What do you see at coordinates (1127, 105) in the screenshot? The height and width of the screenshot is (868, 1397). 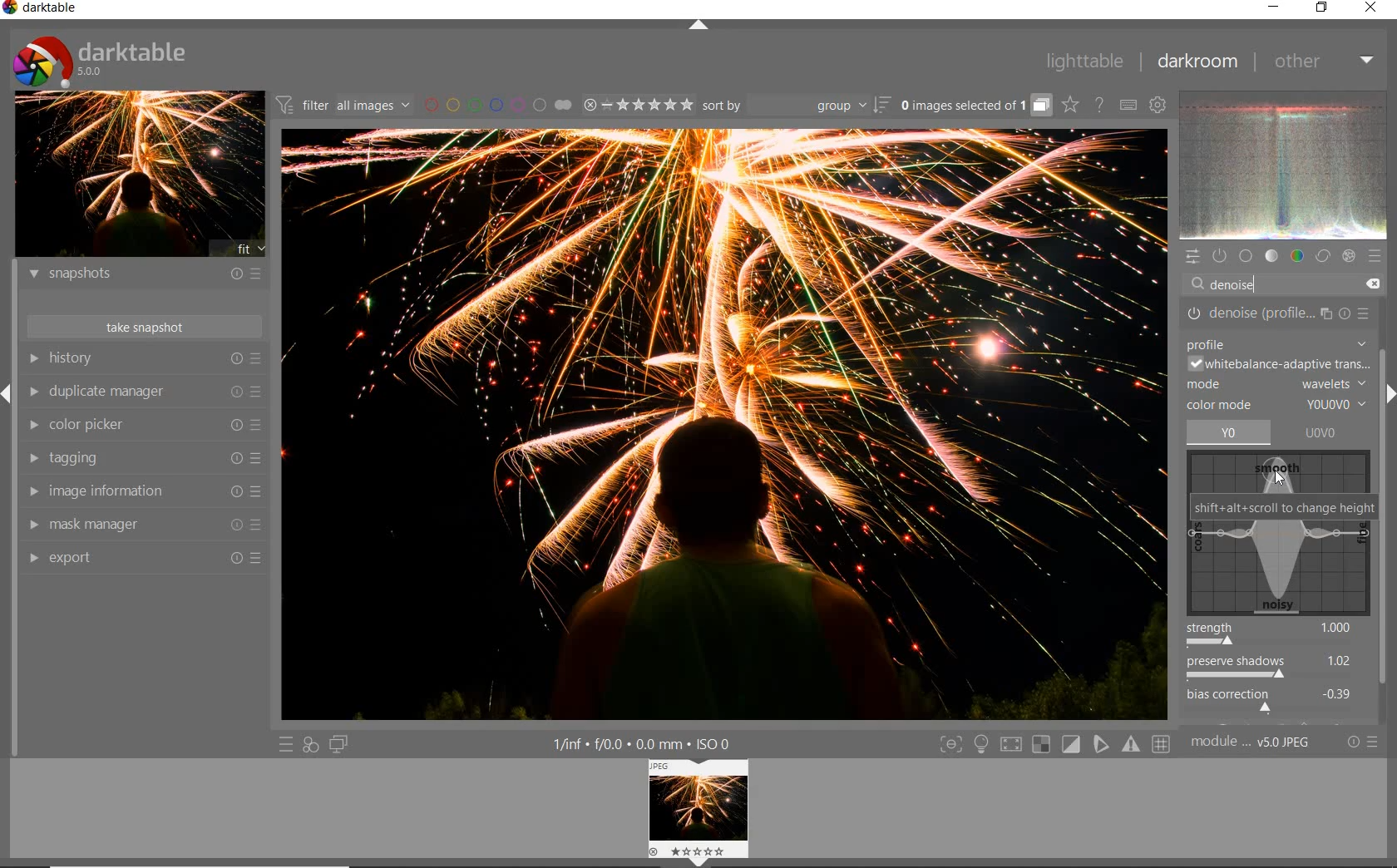 I see `set keyboard shortcuts` at bounding box center [1127, 105].